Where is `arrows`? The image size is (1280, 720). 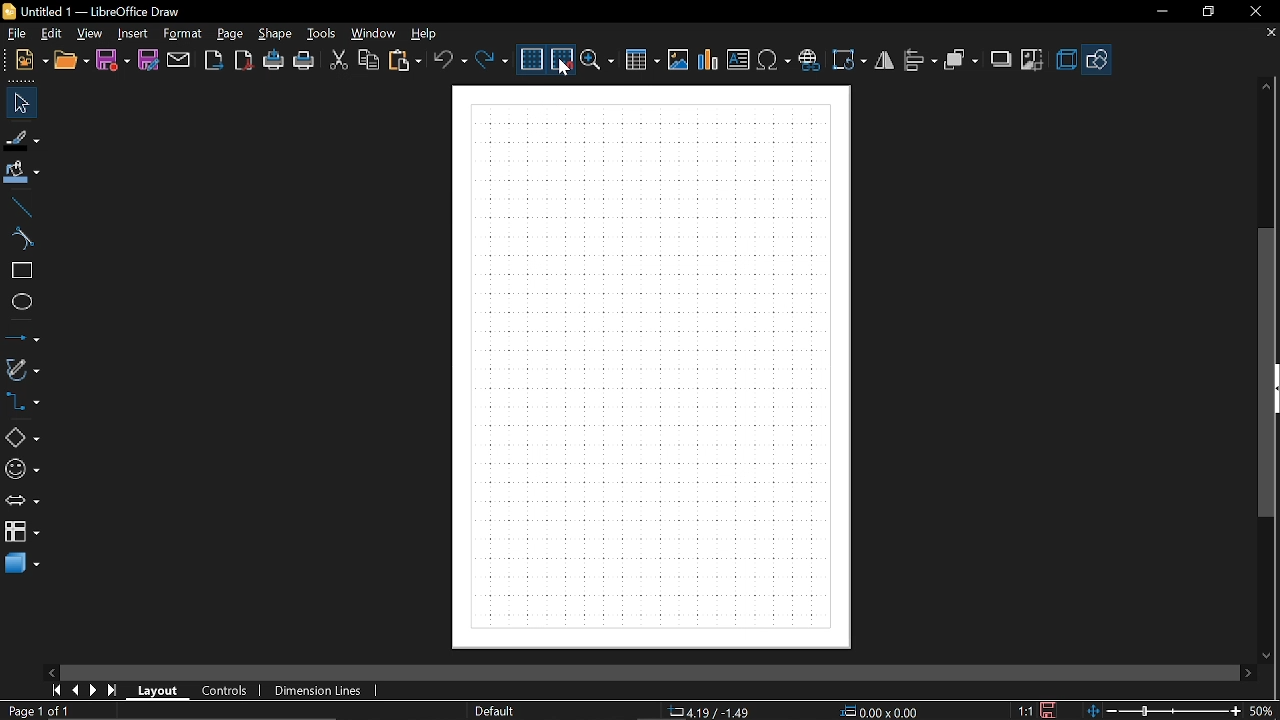
arrows is located at coordinates (26, 503).